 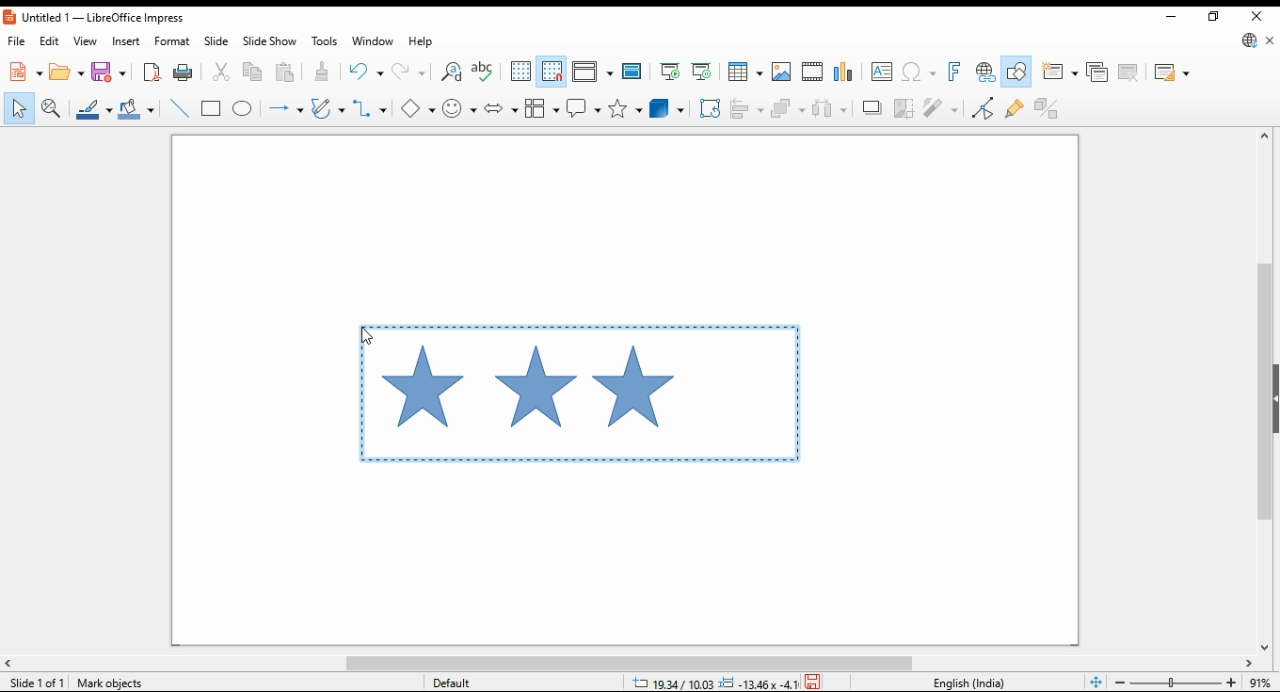 What do you see at coordinates (125, 41) in the screenshot?
I see `insert` at bounding box center [125, 41].